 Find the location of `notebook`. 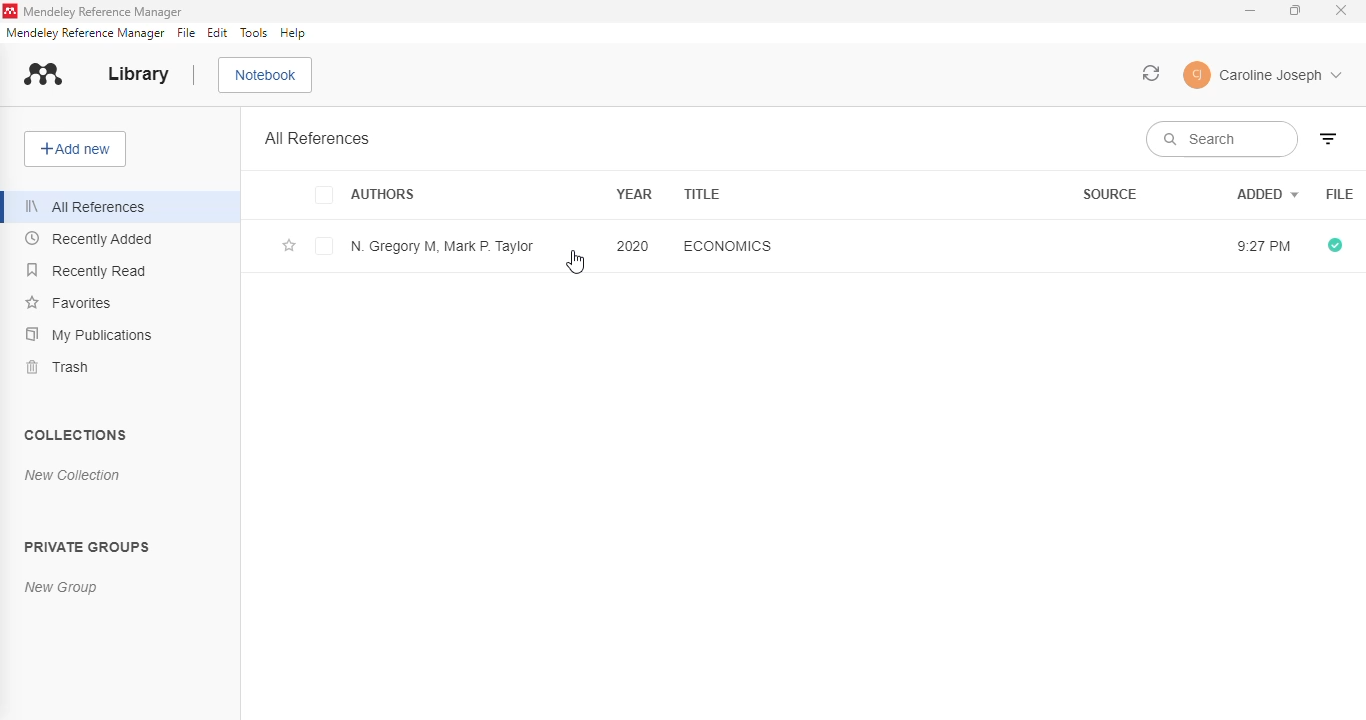

notebook is located at coordinates (265, 75).